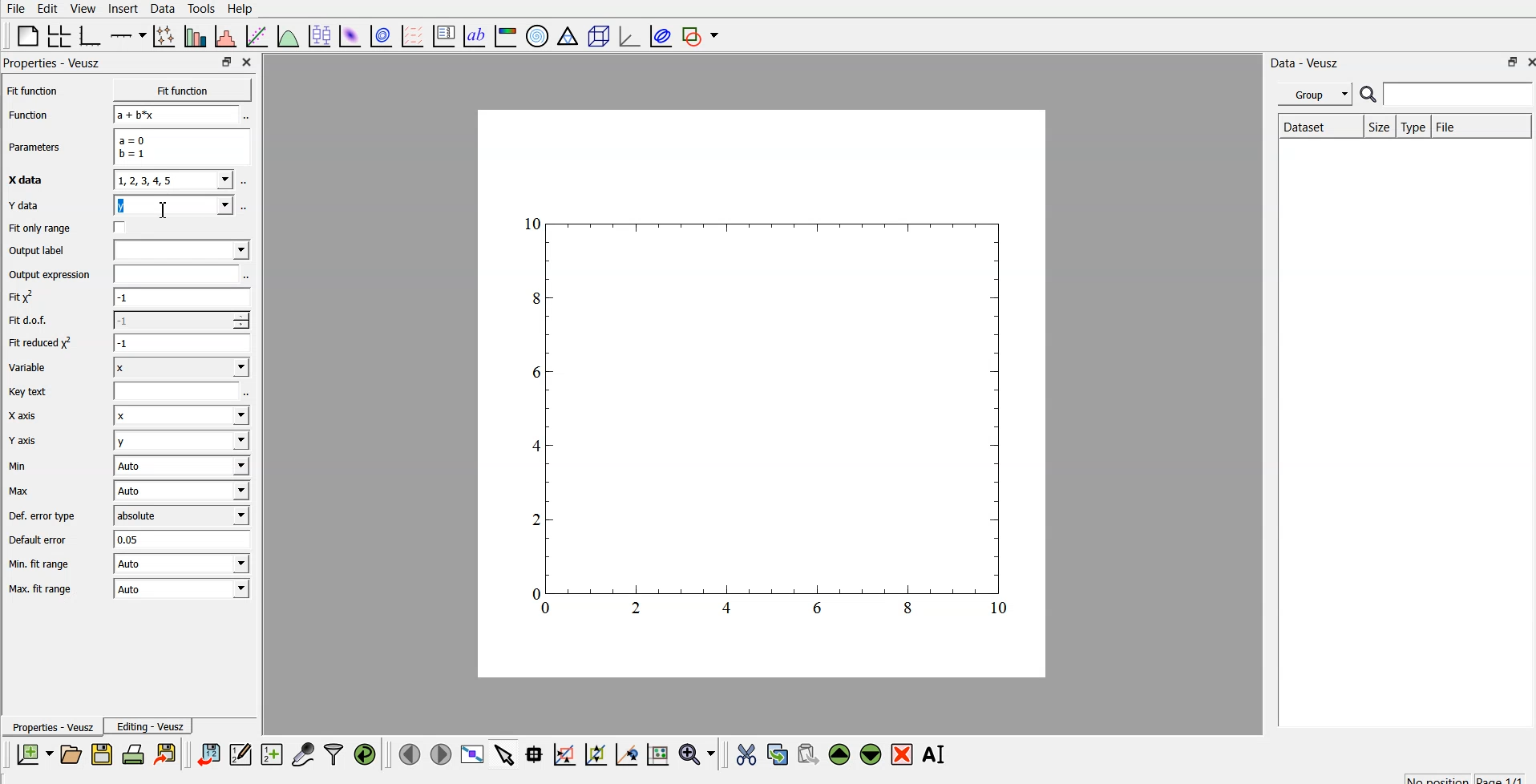 Image resolution: width=1536 pixels, height=784 pixels. I want to click on next page, so click(440, 756).